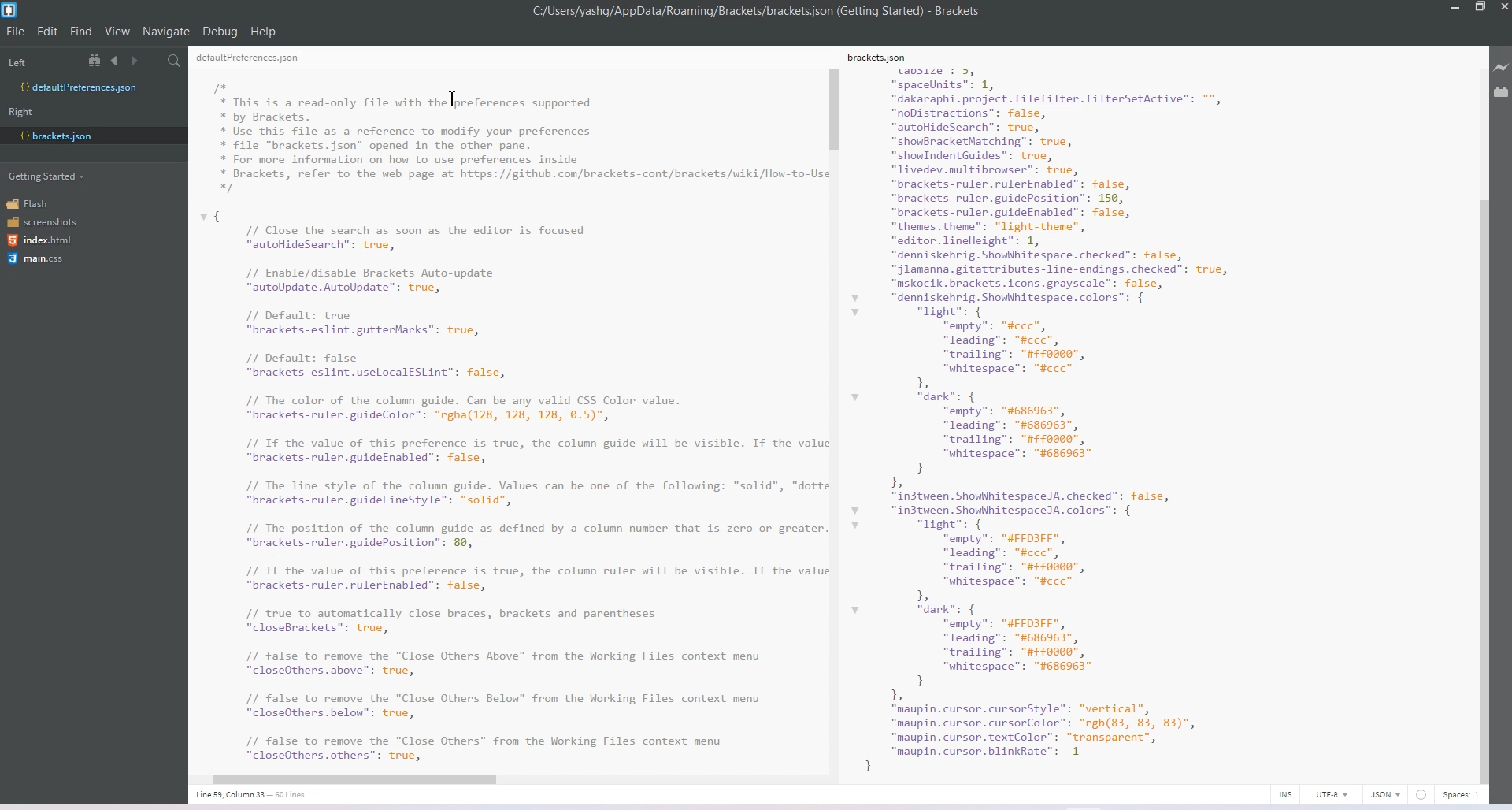 This screenshot has height=810, width=1512. I want to click on index.html, so click(45, 240).